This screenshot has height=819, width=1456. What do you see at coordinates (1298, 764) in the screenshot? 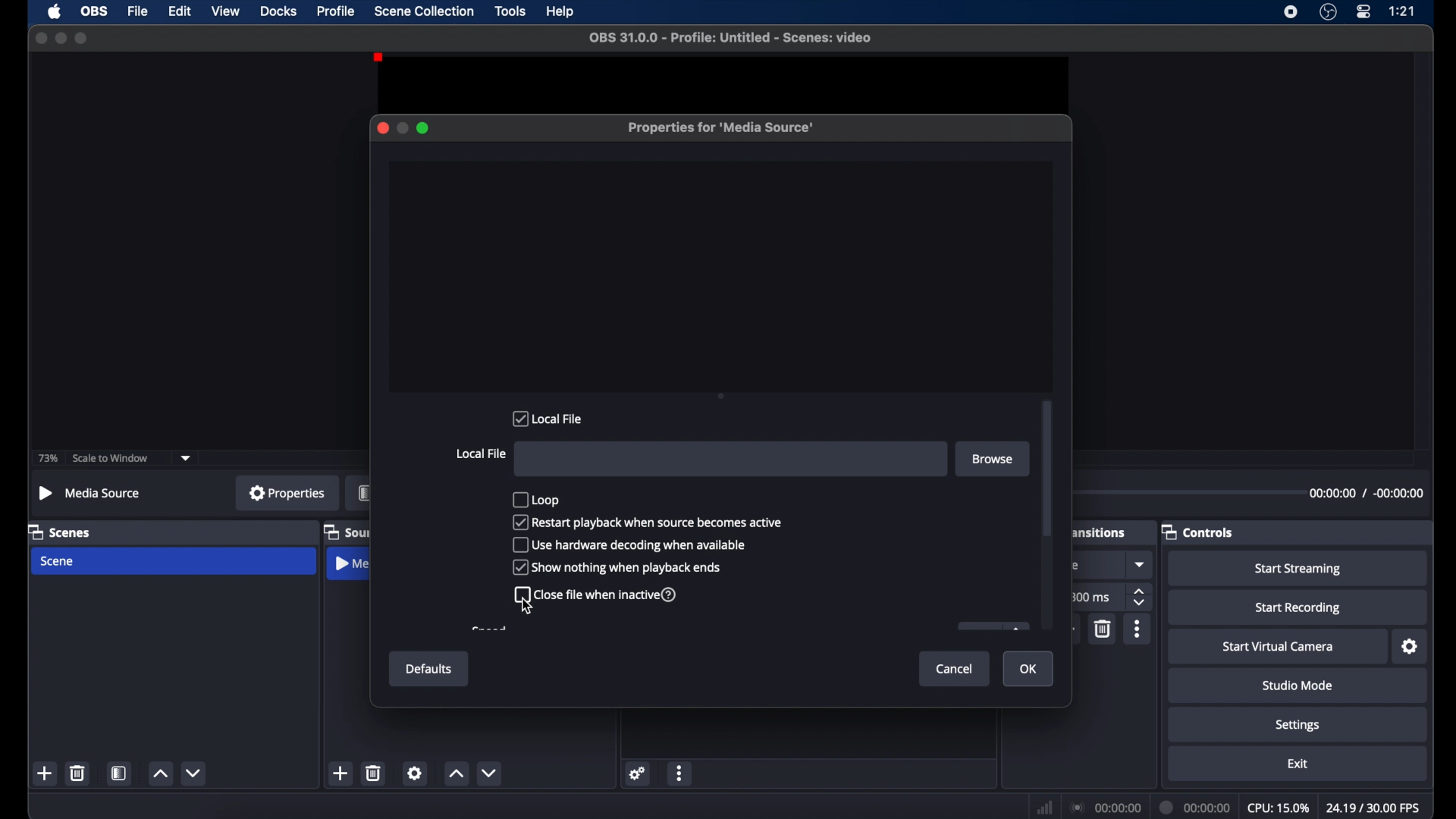
I see `exit` at bounding box center [1298, 764].